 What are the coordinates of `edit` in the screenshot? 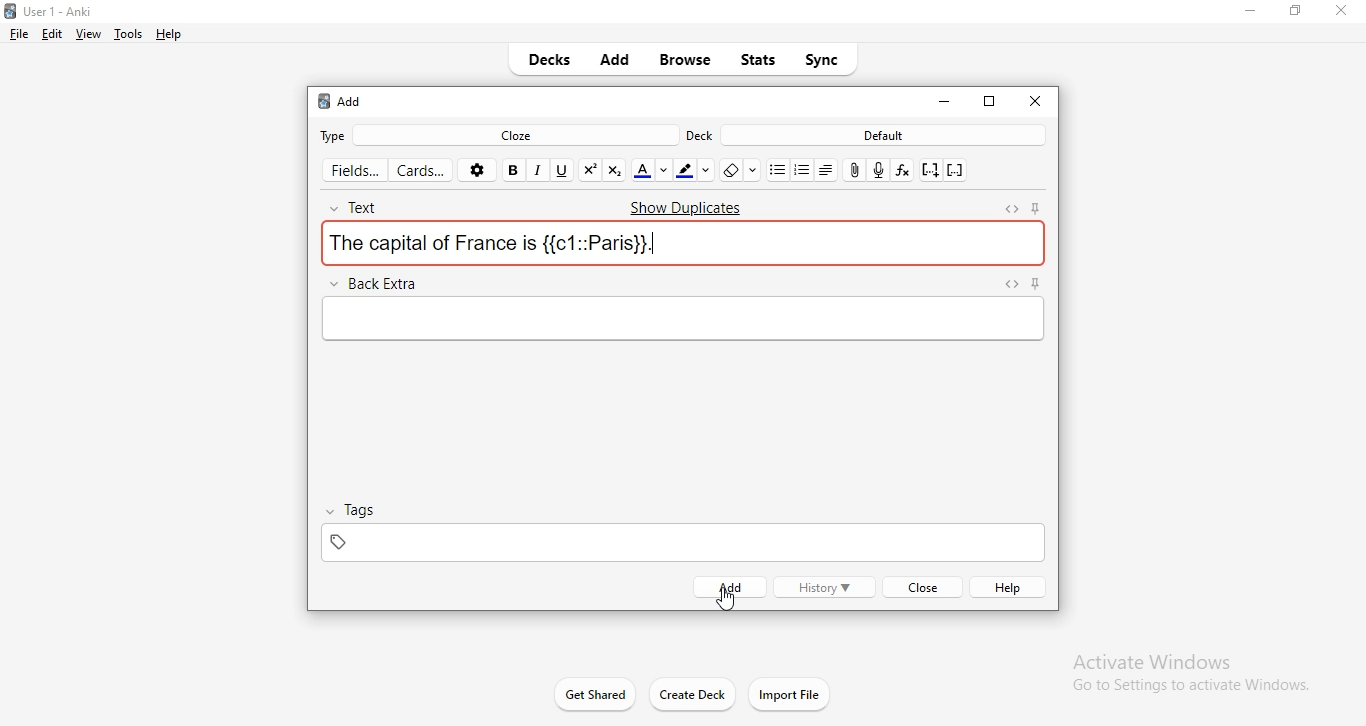 It's located at (51, 34).